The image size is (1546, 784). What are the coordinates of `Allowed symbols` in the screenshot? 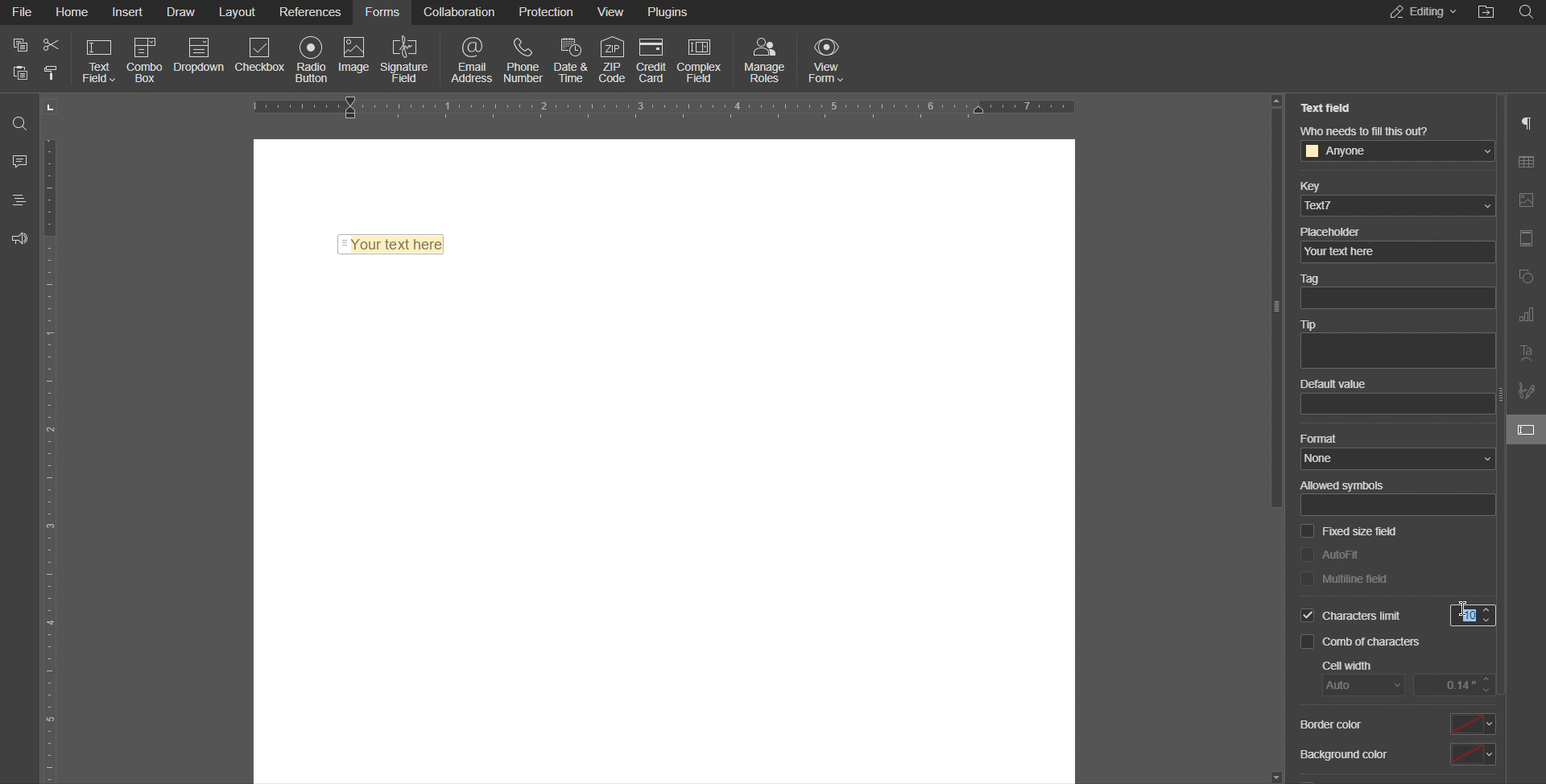 It's located at (1396, 499).